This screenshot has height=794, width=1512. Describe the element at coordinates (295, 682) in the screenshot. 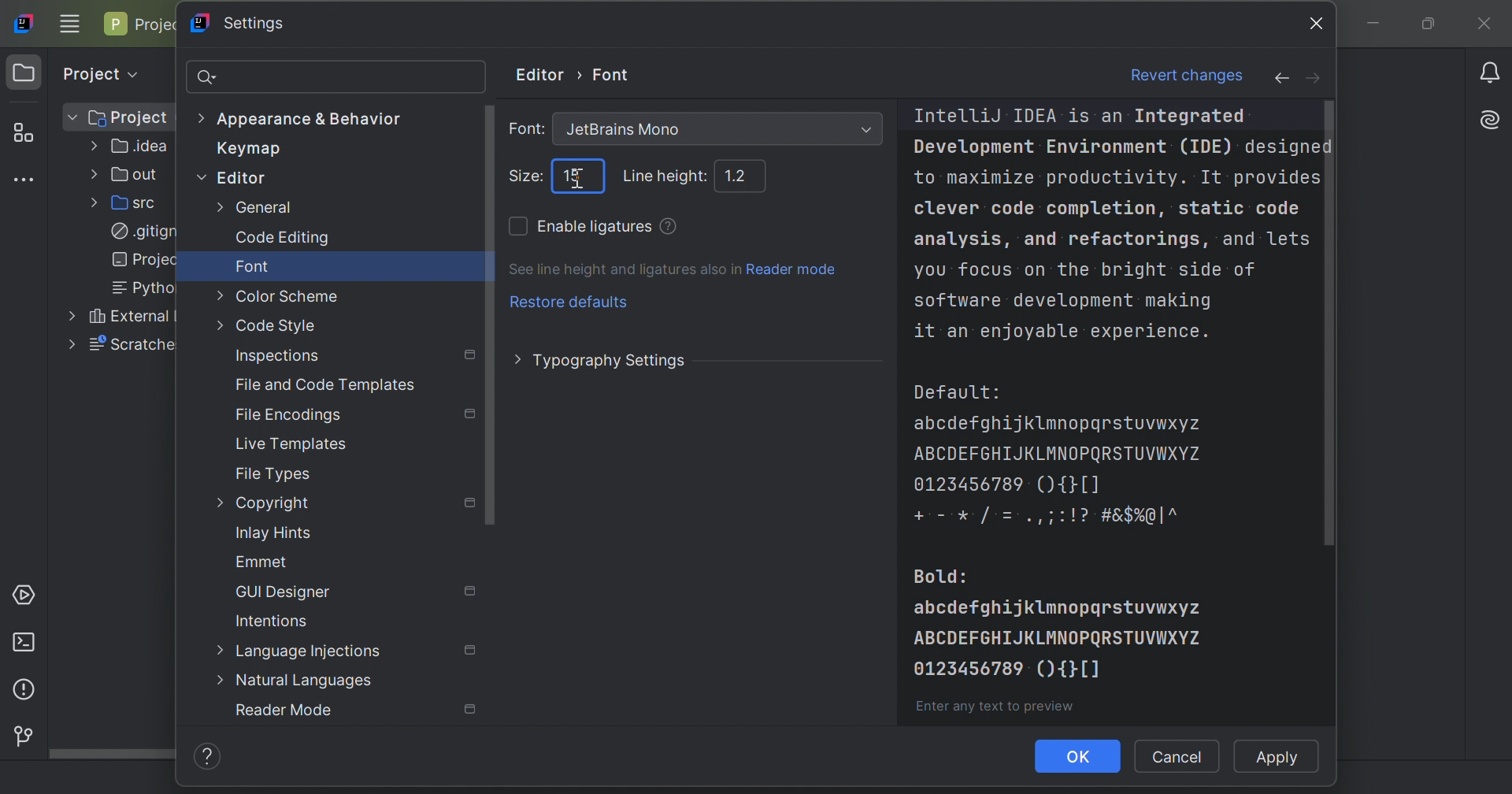

I see `Natural languages` at that location.